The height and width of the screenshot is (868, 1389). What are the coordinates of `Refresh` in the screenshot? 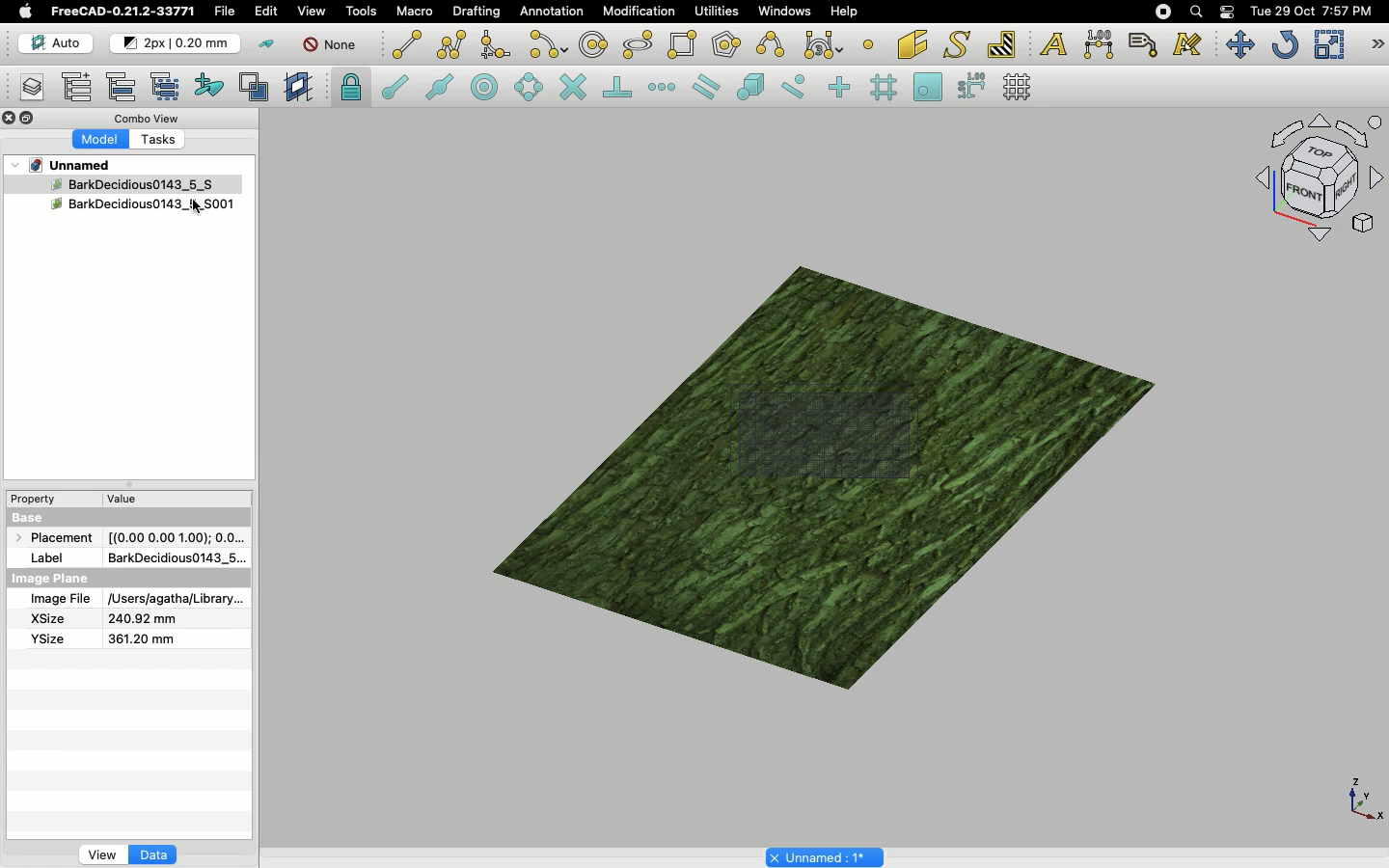 It's located at (1285, 46).